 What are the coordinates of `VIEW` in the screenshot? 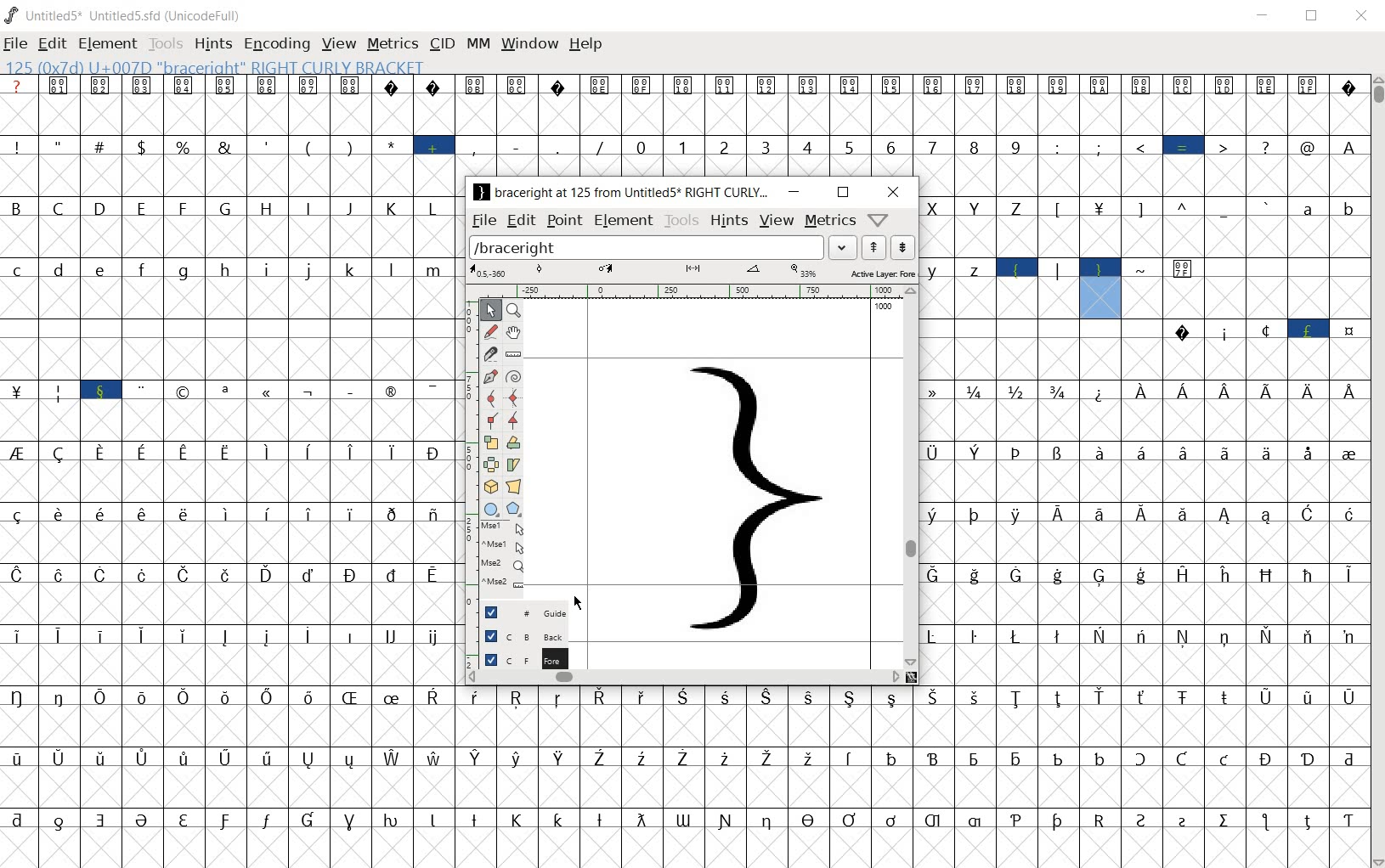 It's located at (336, 42).